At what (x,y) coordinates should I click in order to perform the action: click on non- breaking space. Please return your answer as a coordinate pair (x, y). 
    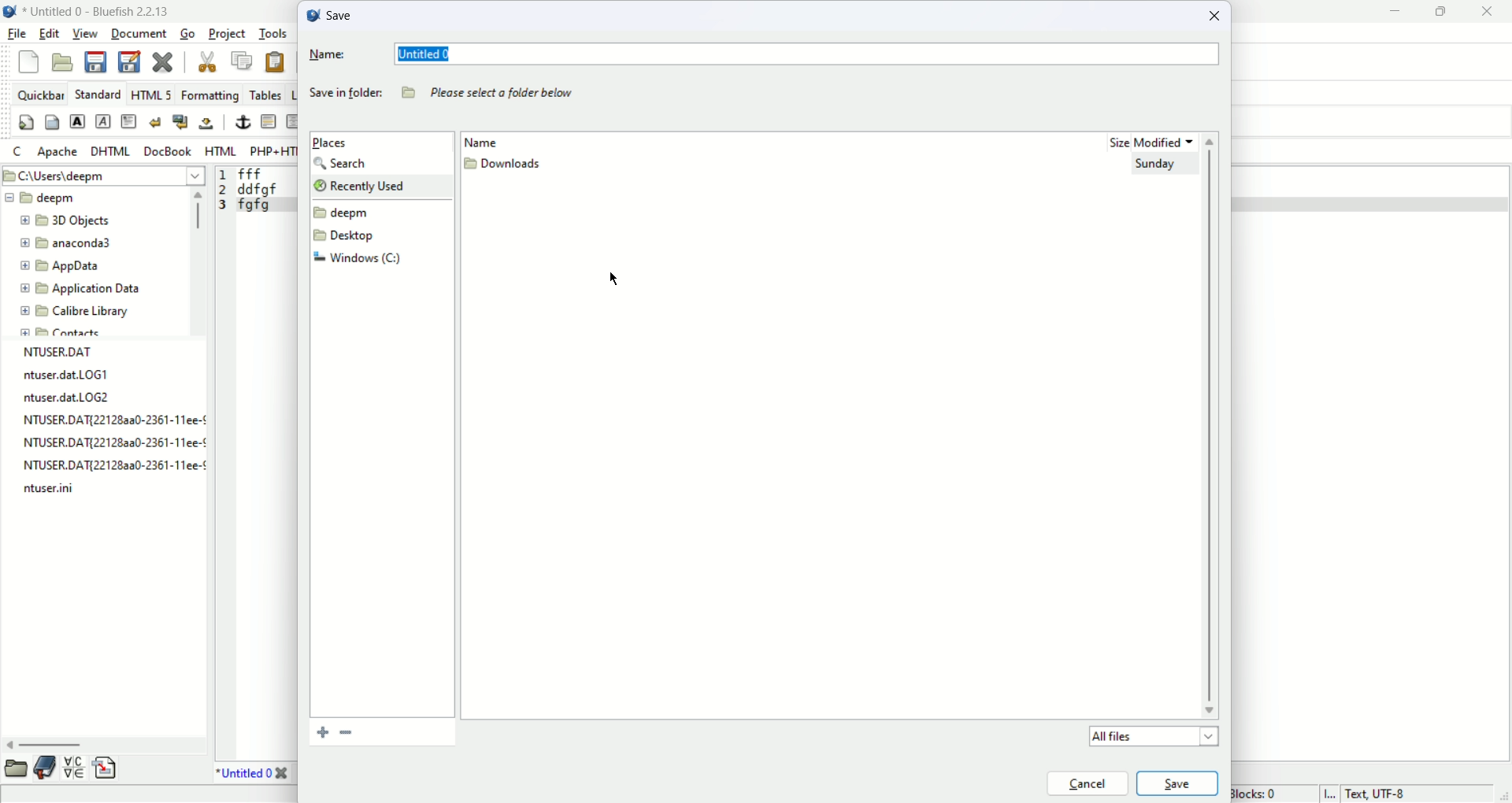
    Looking at the image, I should click on (207, 124).